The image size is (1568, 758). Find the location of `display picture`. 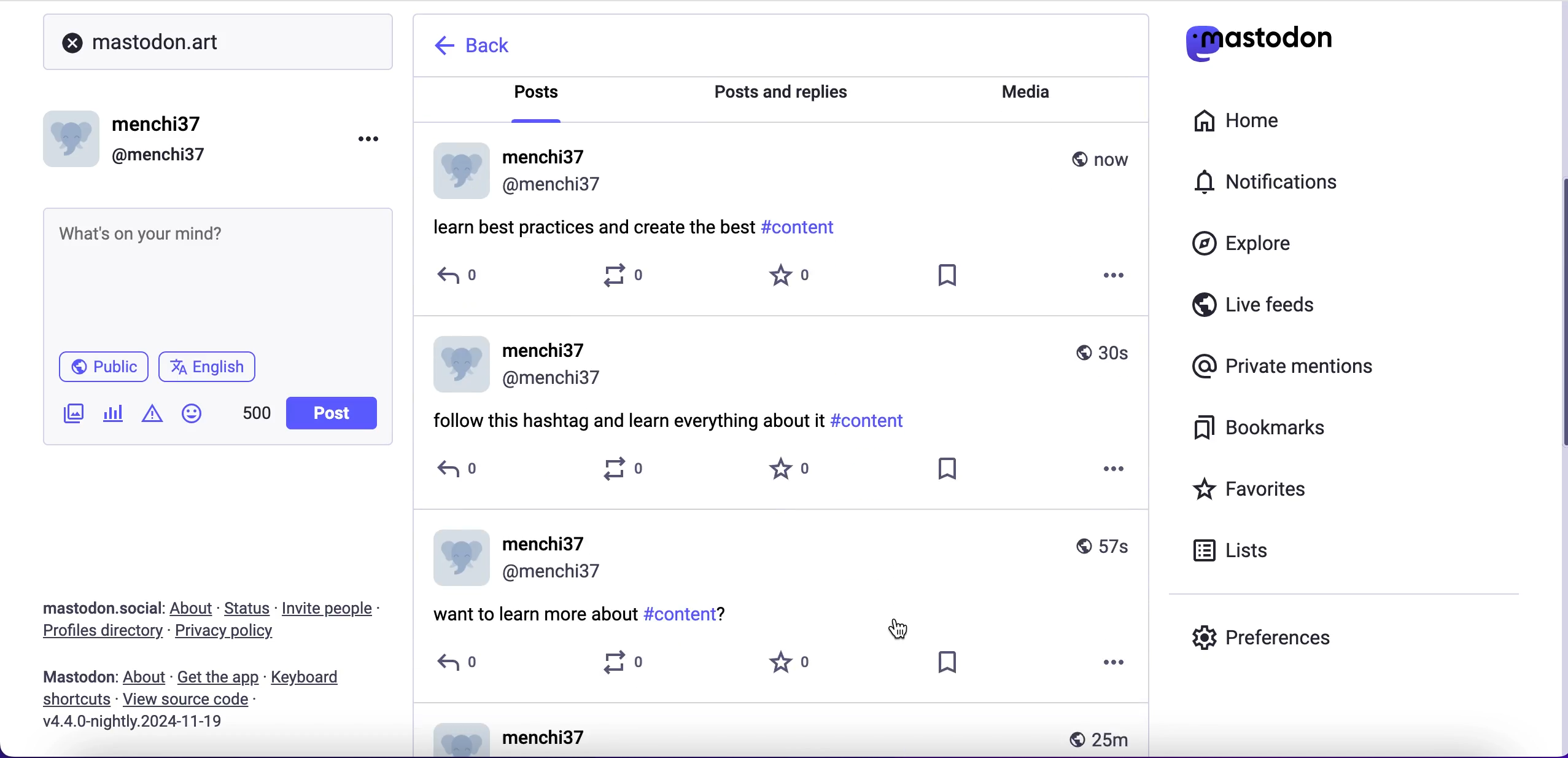

display picture is located at coordinates (459, 558).